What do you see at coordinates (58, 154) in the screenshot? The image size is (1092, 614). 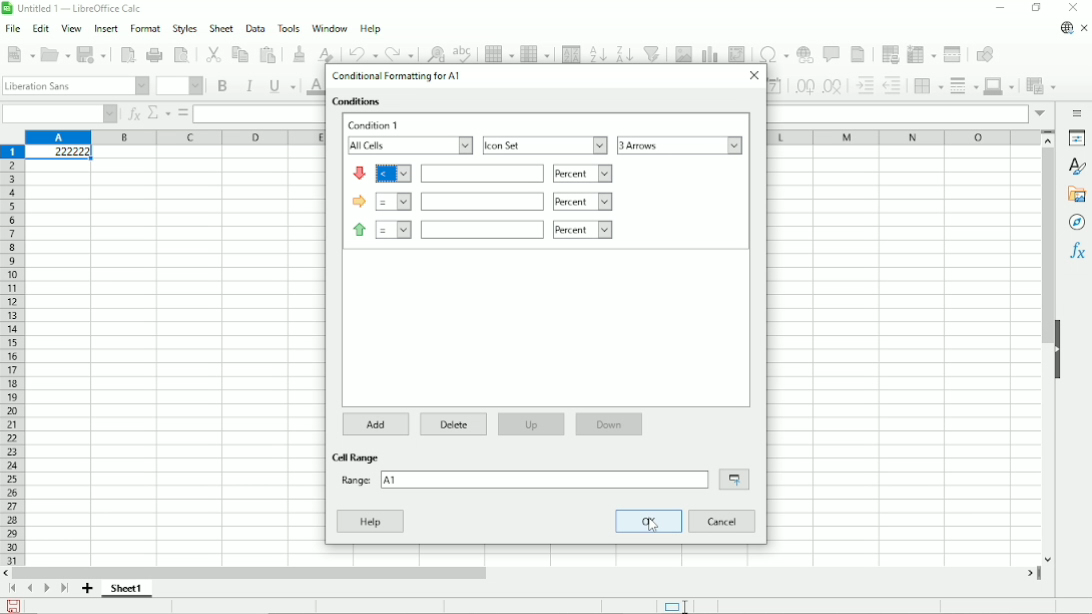 I see `Active cell` at bounding box center [58, 154].